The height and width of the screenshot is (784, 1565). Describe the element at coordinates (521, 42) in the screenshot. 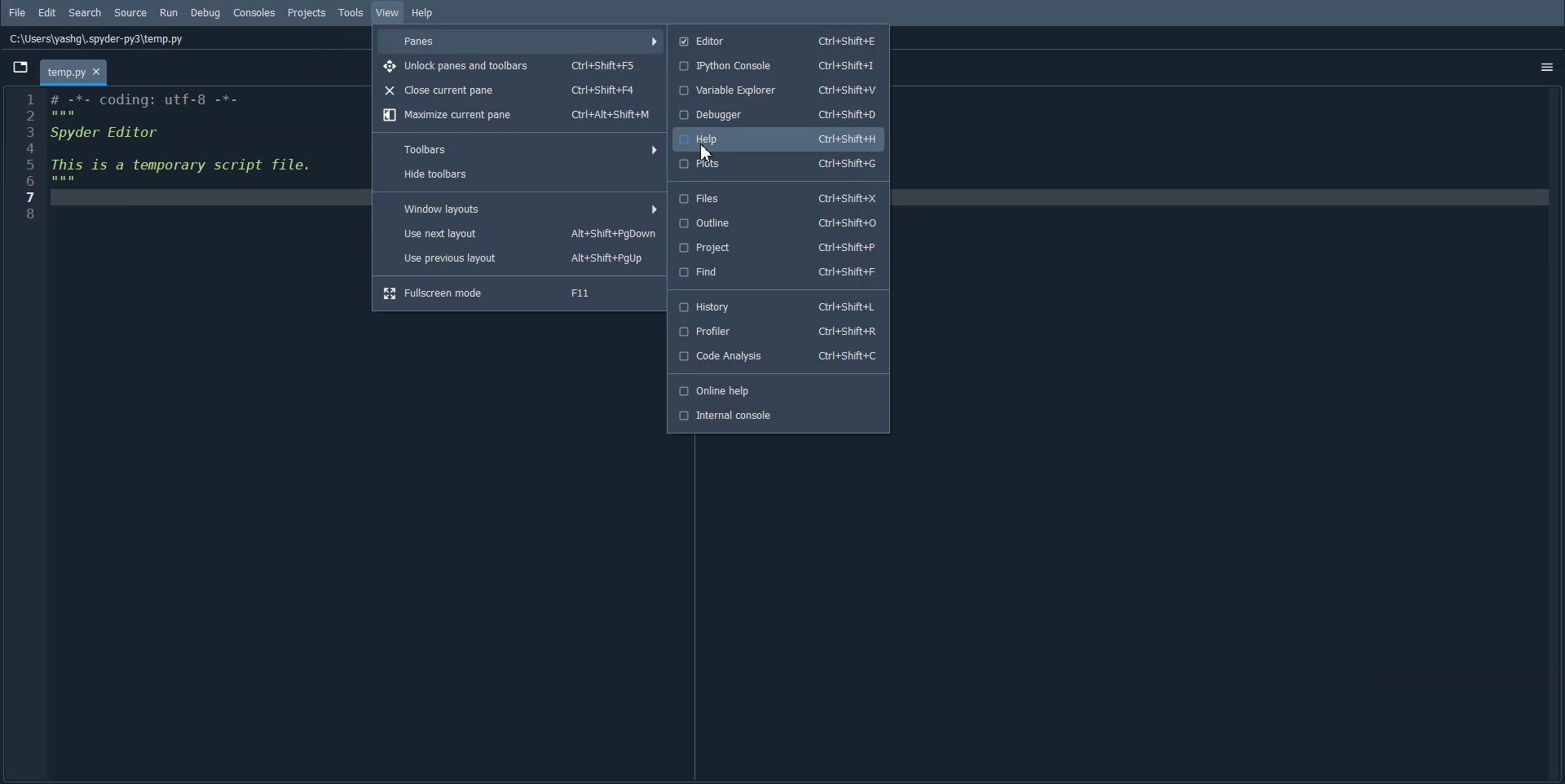

I see `Panes` at that location.